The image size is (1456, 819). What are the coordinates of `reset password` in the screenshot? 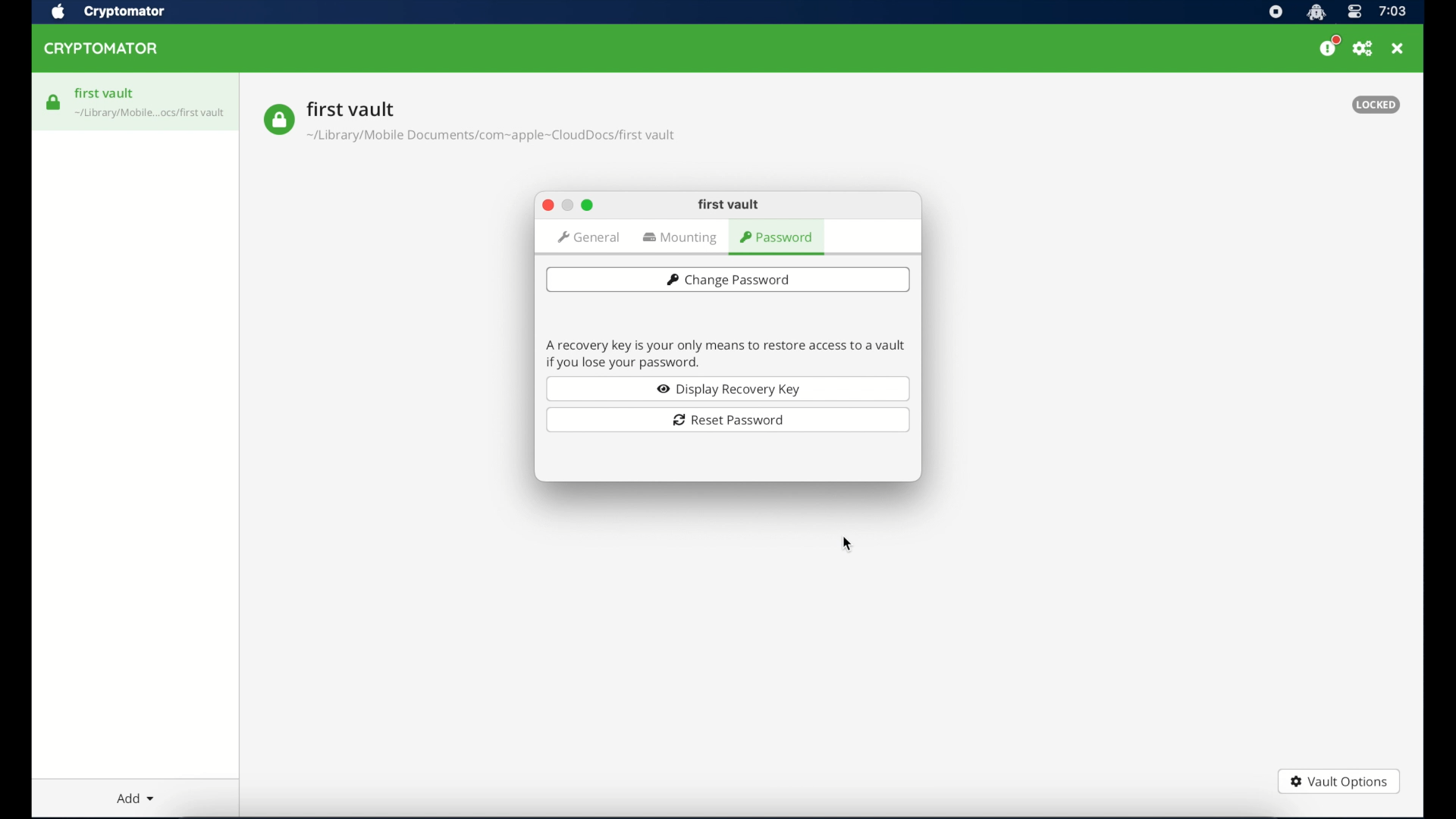 It's located at (728, 420).